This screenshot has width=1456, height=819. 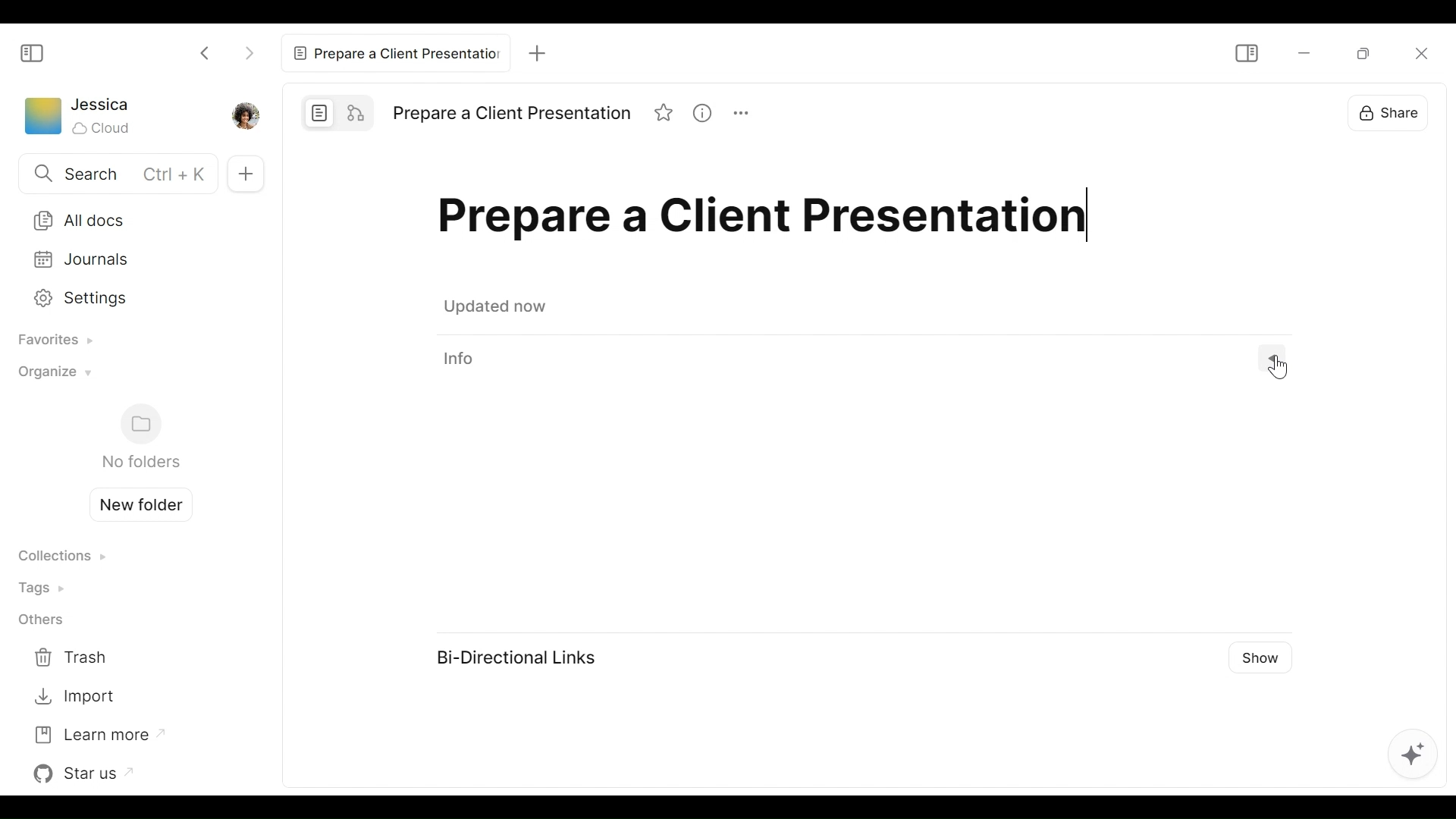 What do you see at coordinates (61, 557) in the screenshot?
I see `Collections` at bounding box center [61, 557].